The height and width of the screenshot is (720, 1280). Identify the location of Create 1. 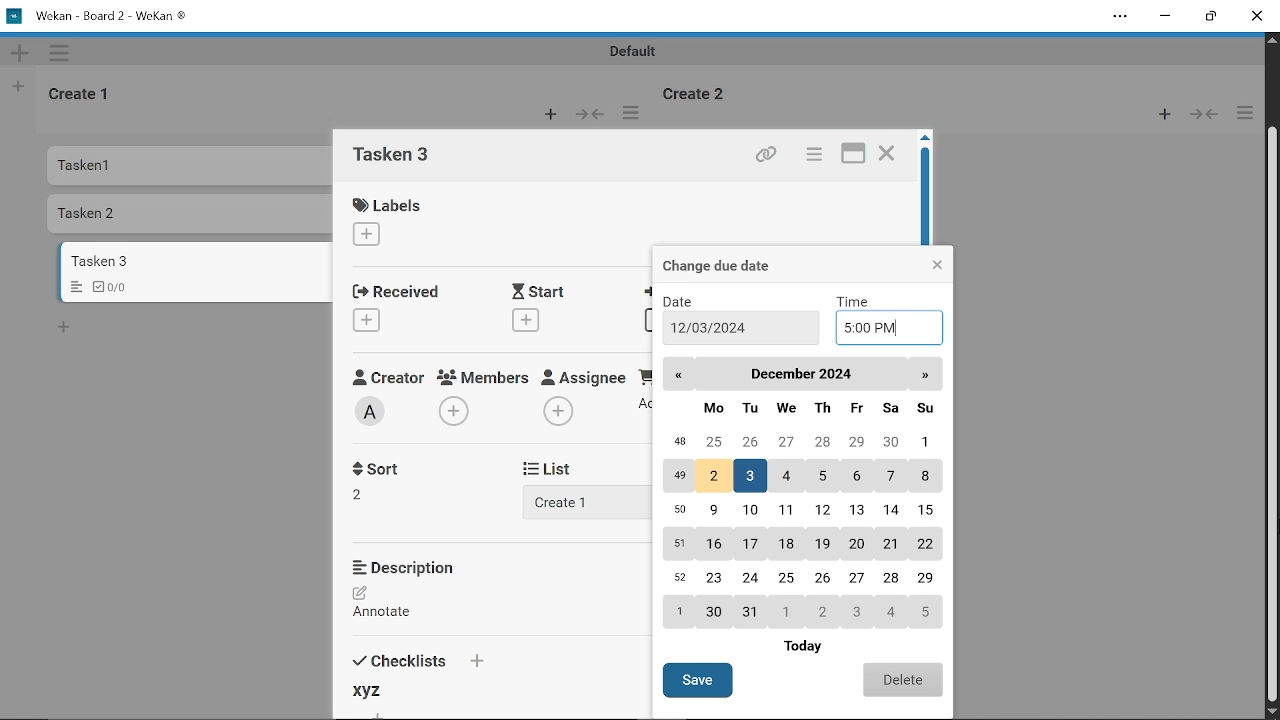
(81, 92).